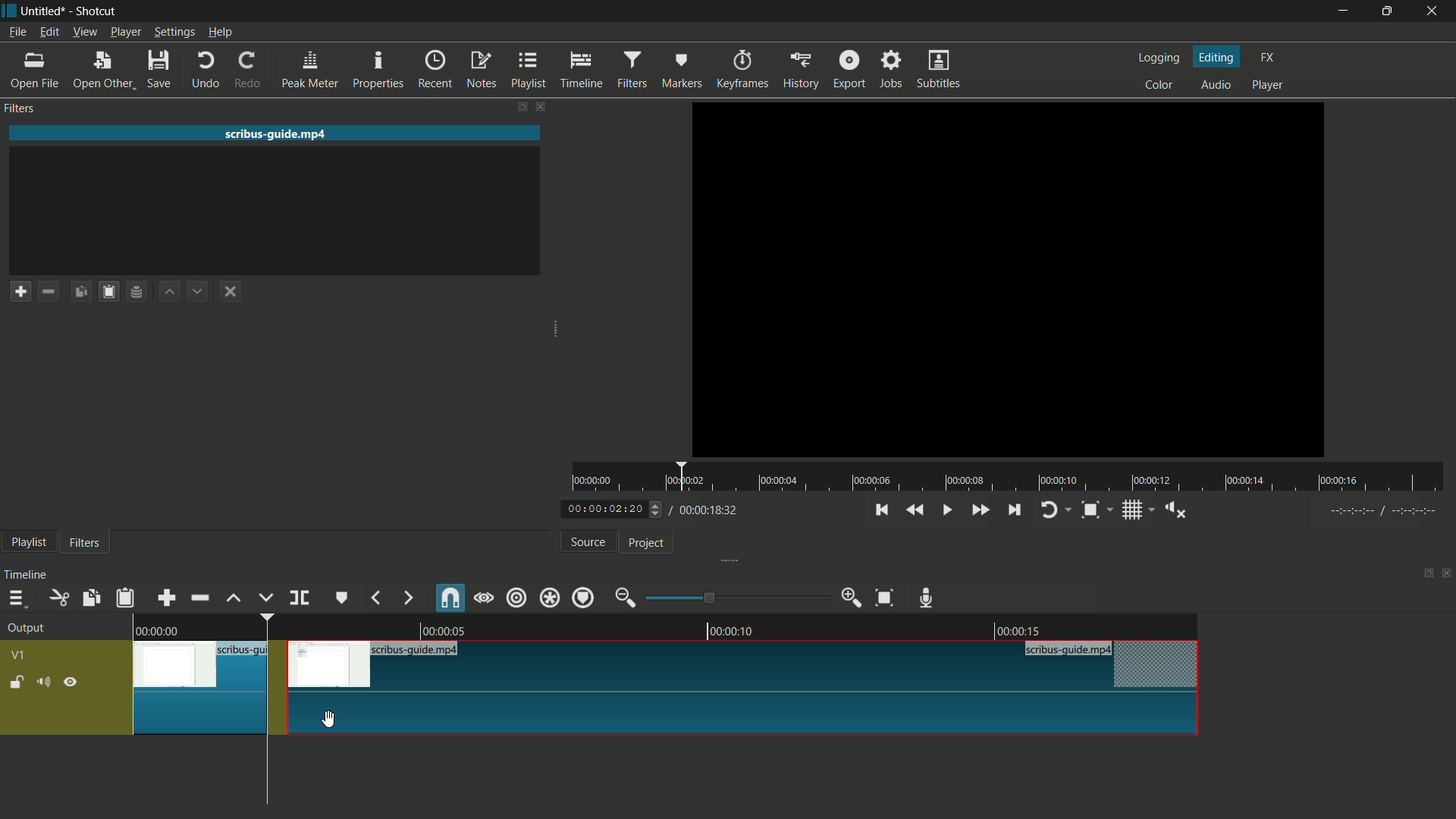  I want to click on logging, so click(1157, 58).